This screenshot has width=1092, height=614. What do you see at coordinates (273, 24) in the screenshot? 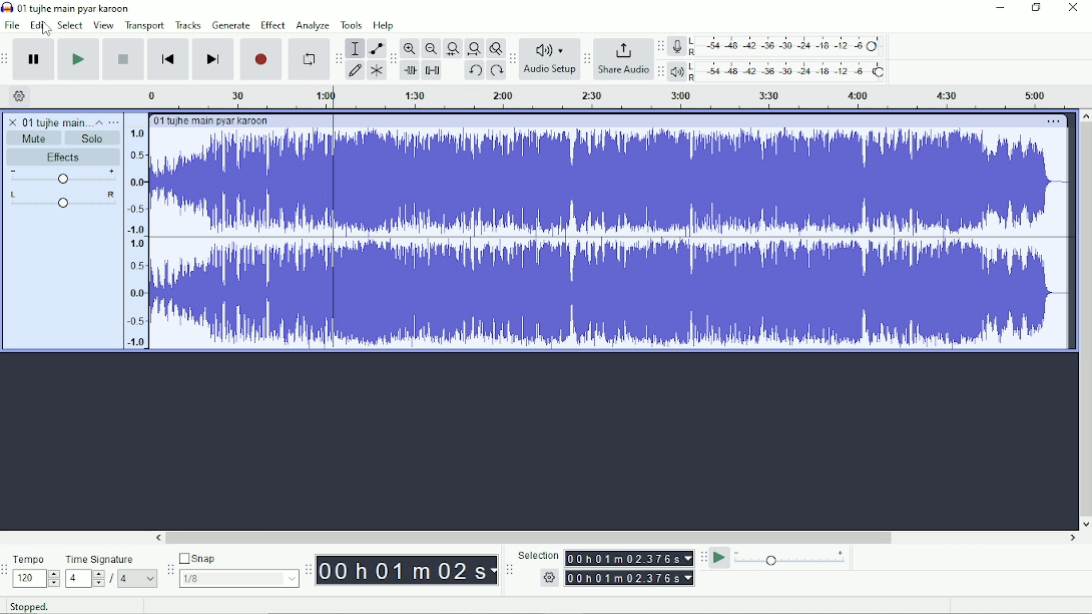
I see `Effect` at bounding box center [273, 24].